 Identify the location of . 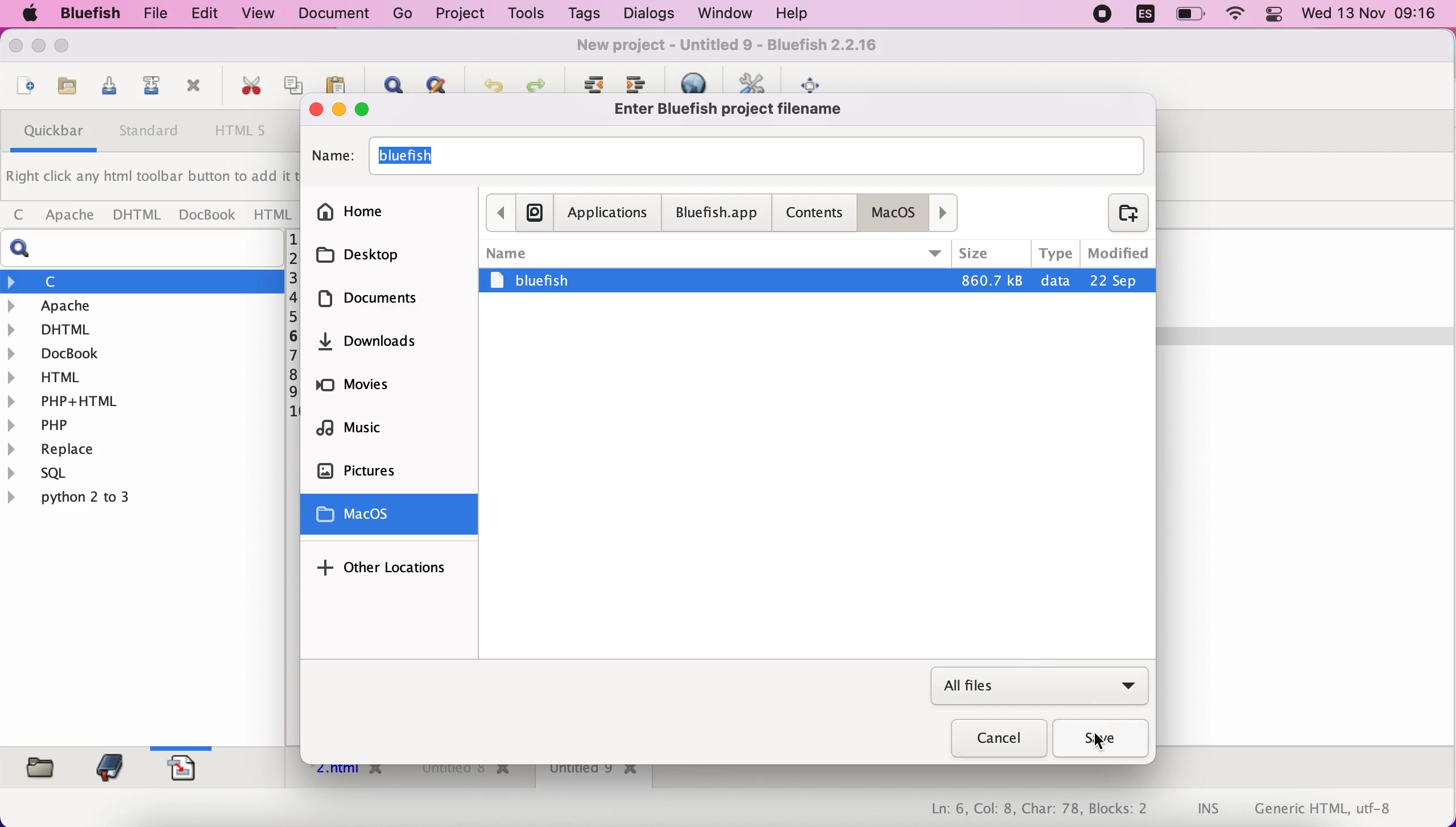
(190, 86).